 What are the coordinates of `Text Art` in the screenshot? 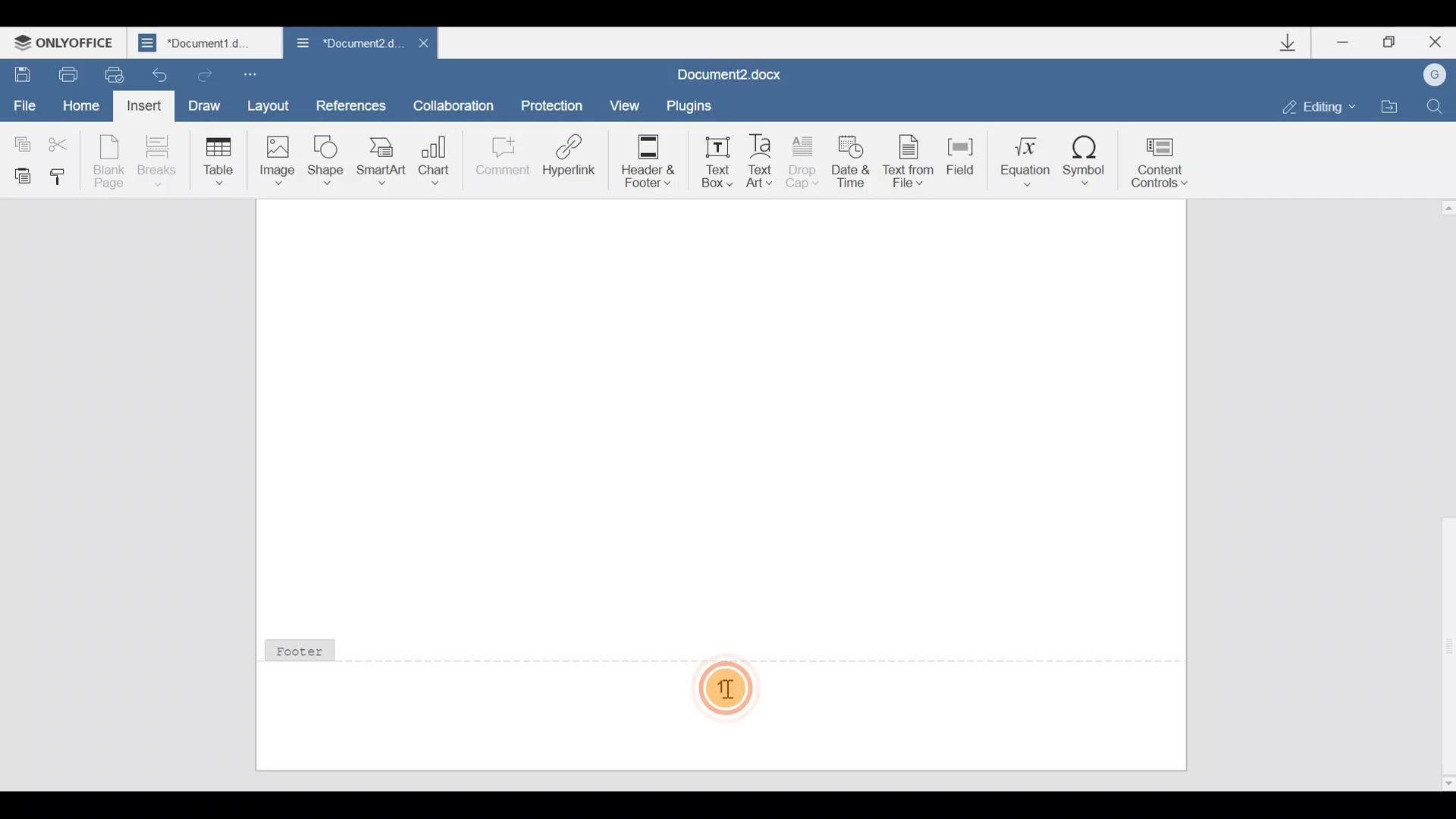 It's located at (764, 158).